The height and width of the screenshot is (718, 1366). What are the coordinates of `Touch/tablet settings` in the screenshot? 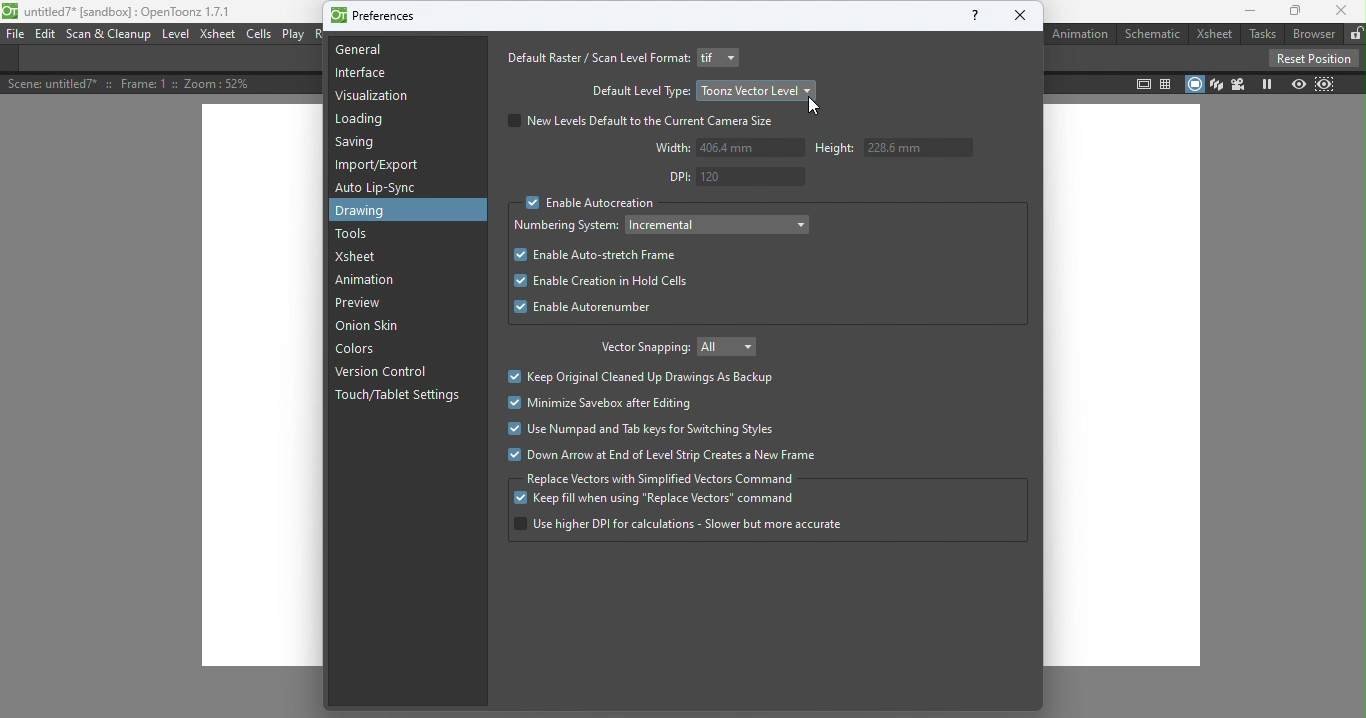 It's located at (400, 400).